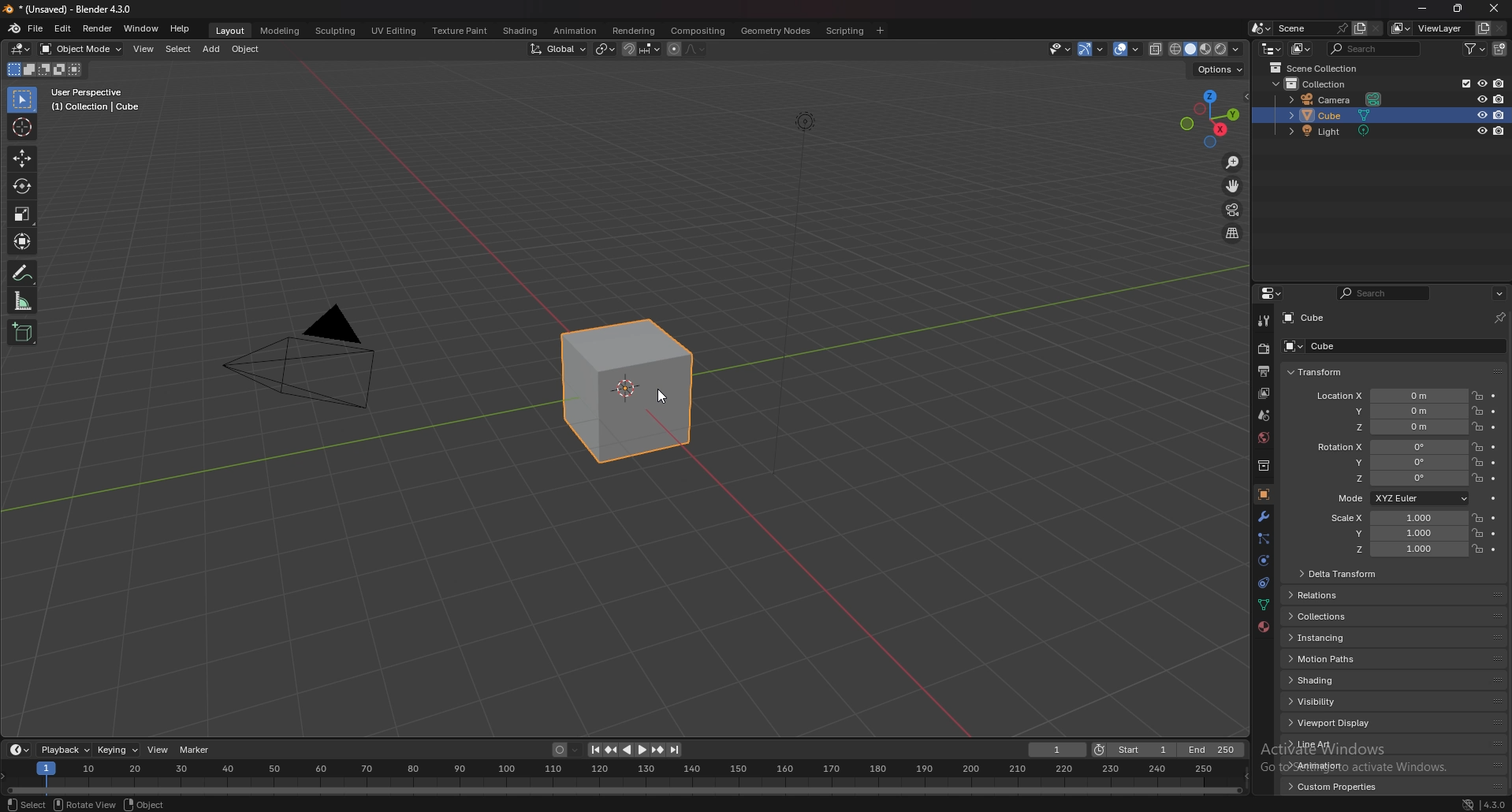 The width and height of the screenshot is (1512, 812). What do you see at coordinates (1316, 68) in the screenshot?
I see `scene collection` at bounding box center [1316, 68].